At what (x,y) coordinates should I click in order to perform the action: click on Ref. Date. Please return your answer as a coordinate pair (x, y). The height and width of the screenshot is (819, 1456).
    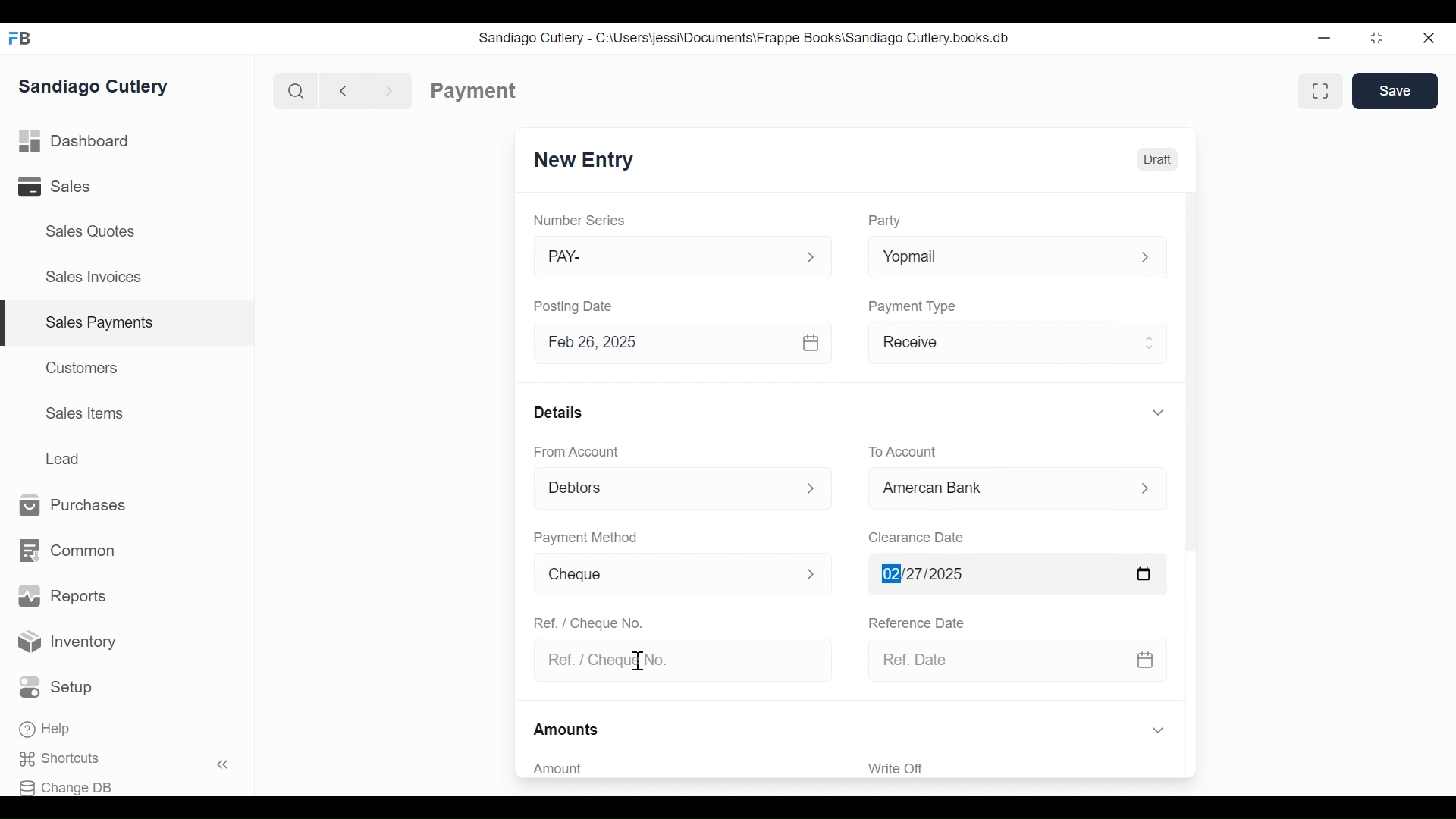
    Looking at the image, I should click on (996, 660).